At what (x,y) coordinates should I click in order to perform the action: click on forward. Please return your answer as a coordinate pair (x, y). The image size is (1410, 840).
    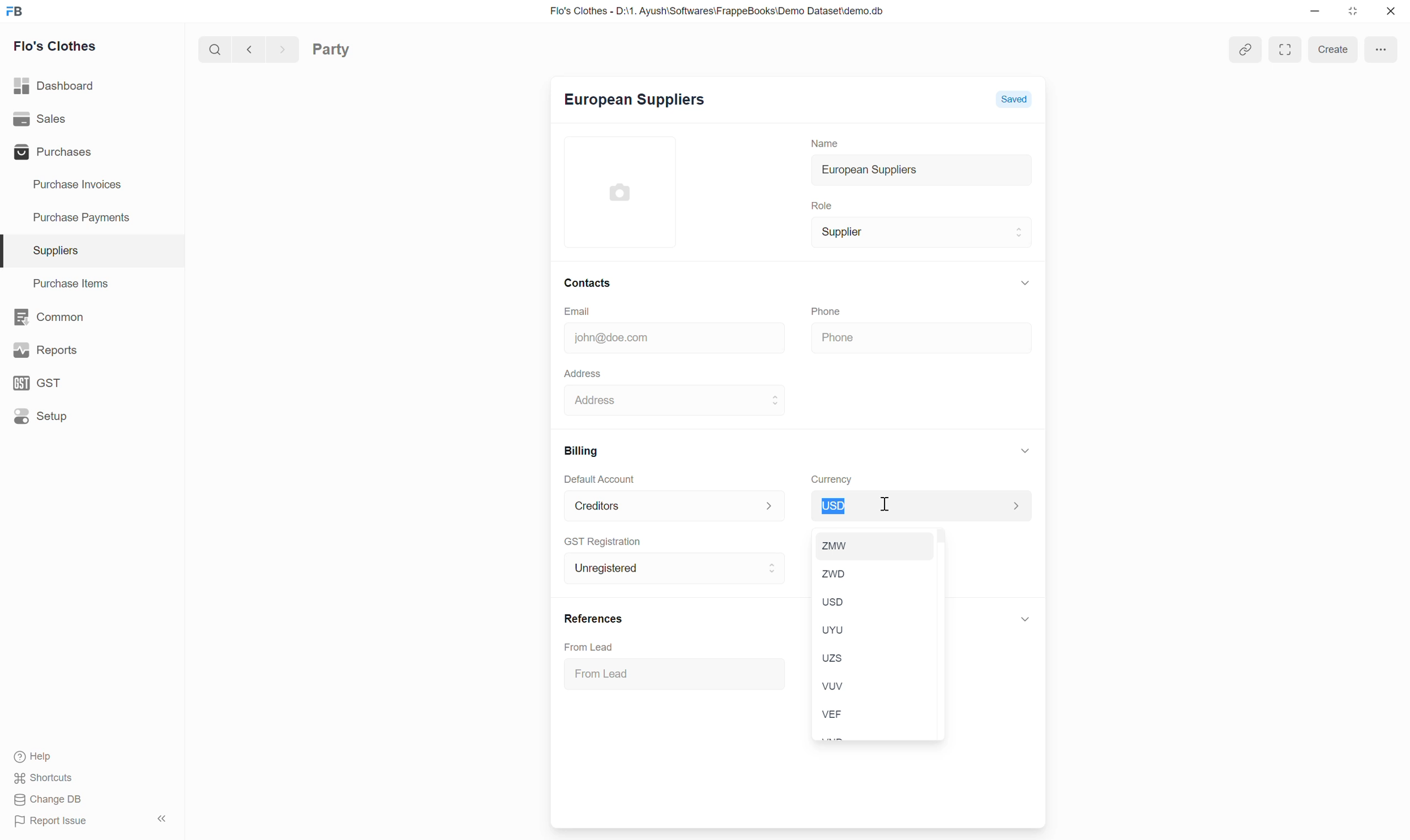
    Looking at the image, I should click on (279, 48).